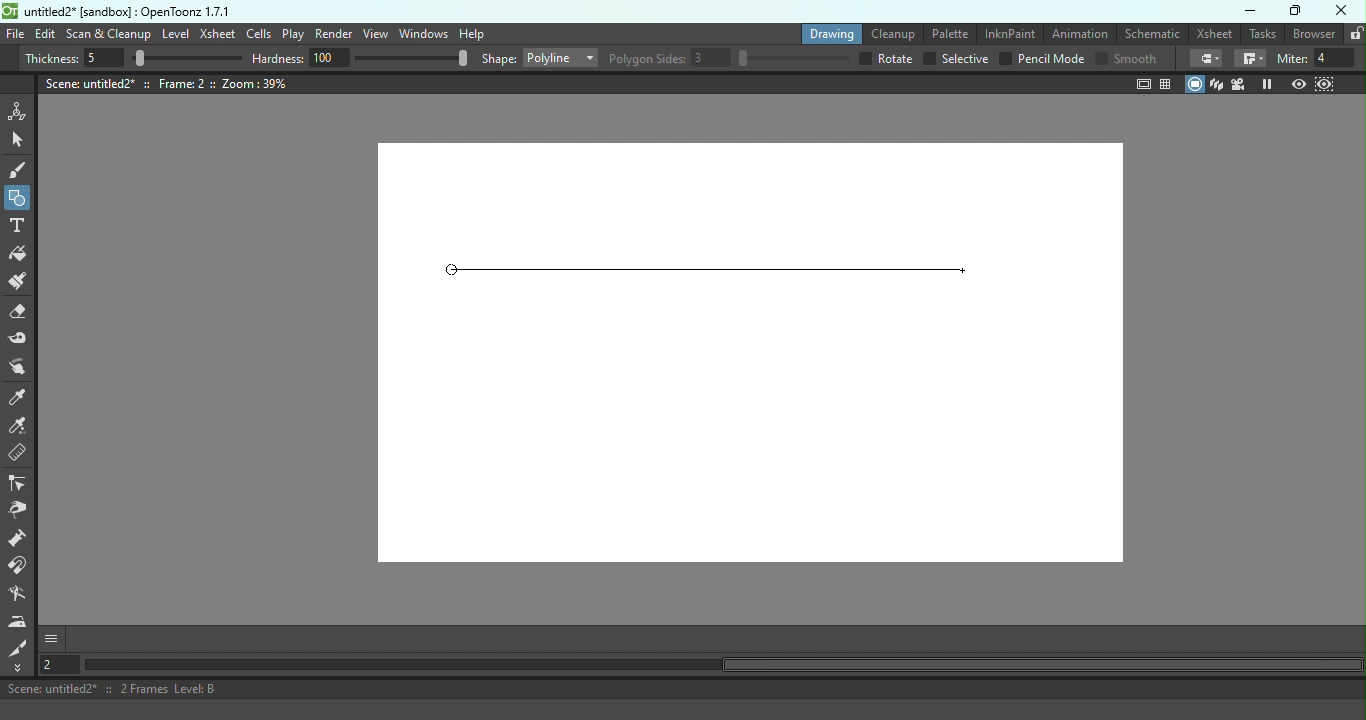 The width and height of the screenshot is (1366, 720). Describe the element at coordinates (20, 398) in the screenshot. I see `Style picker tool` at that location.